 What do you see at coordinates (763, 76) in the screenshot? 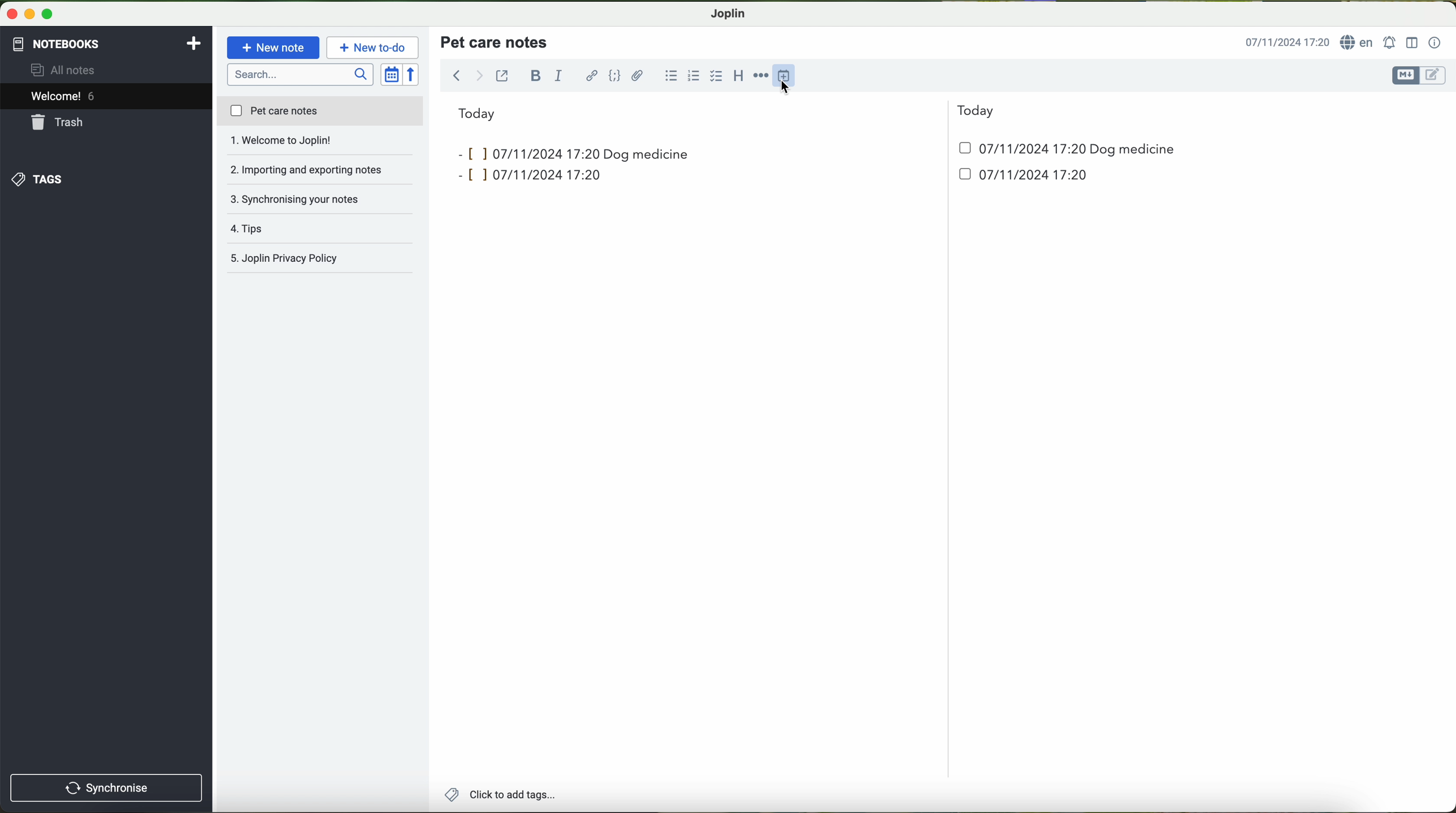
I see `horizontal rule` at bounding box center [763, 76].